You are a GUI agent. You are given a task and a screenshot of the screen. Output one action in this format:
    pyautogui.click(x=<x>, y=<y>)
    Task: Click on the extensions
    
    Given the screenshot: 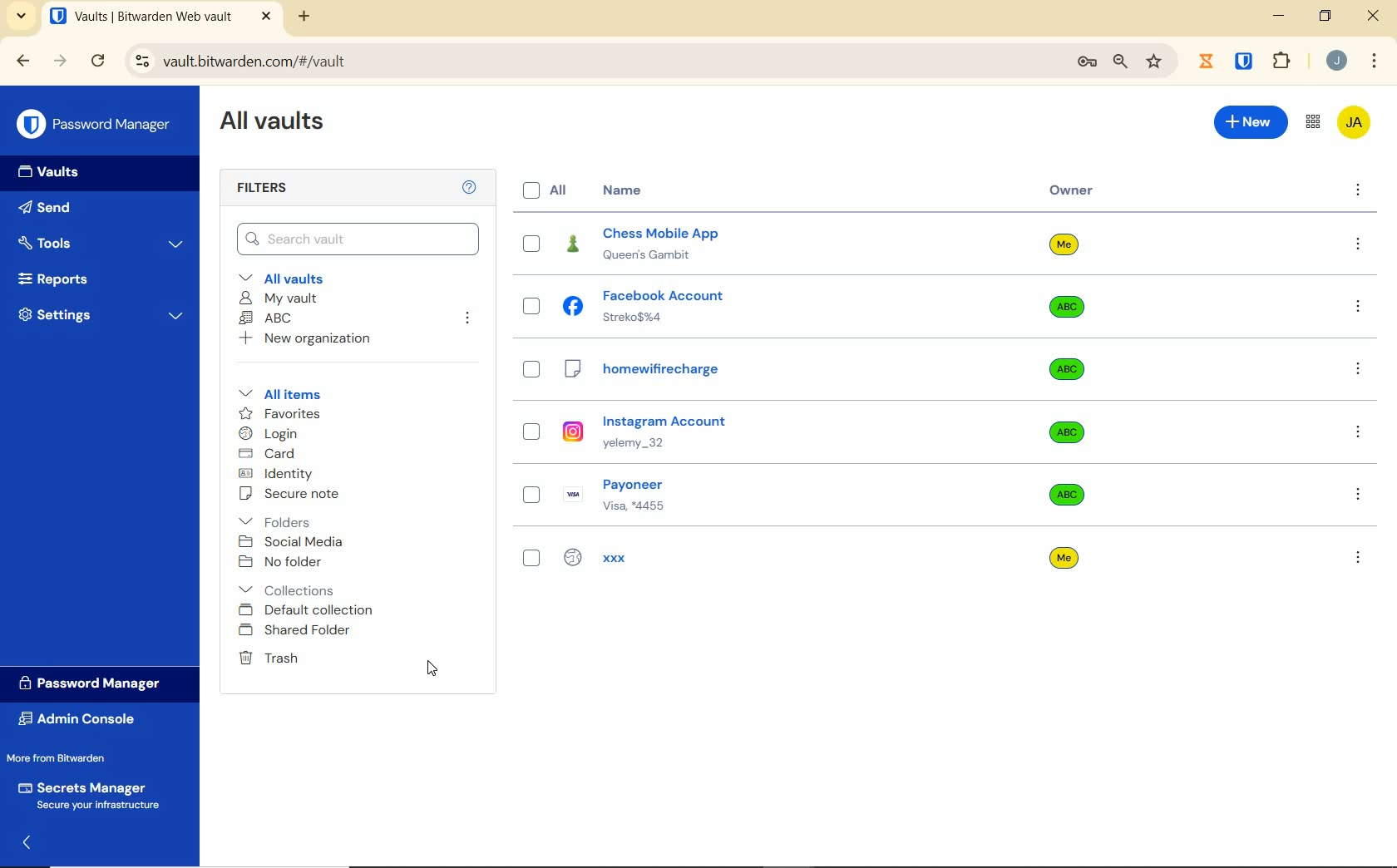 What is the action you would take?
    pyautogui.click(x=1283, y=61)
    